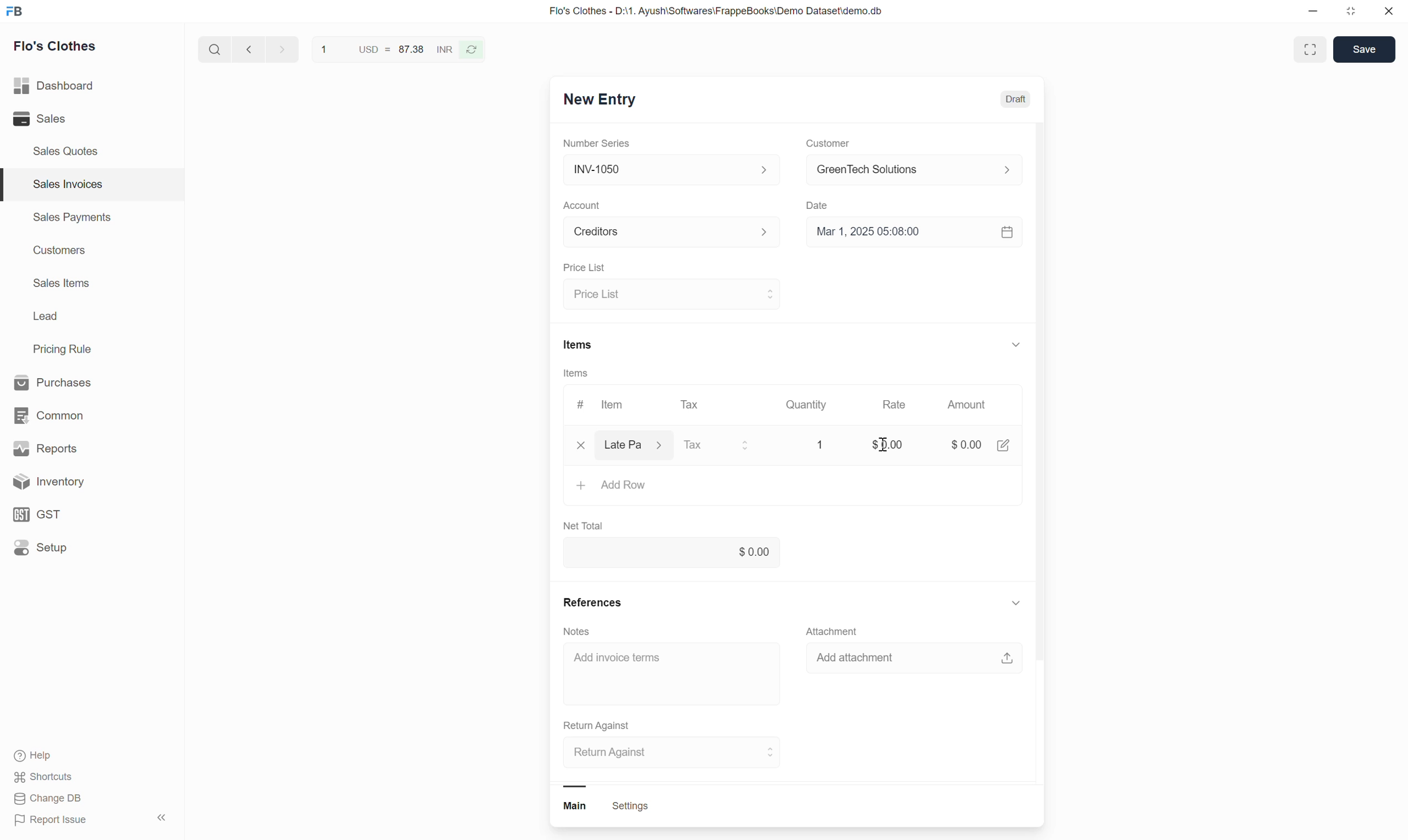 The width and height of the screenshot is (1408, 840). Describe the element at coordinates (592, 602) in the screenshot. I see `References` at that location.